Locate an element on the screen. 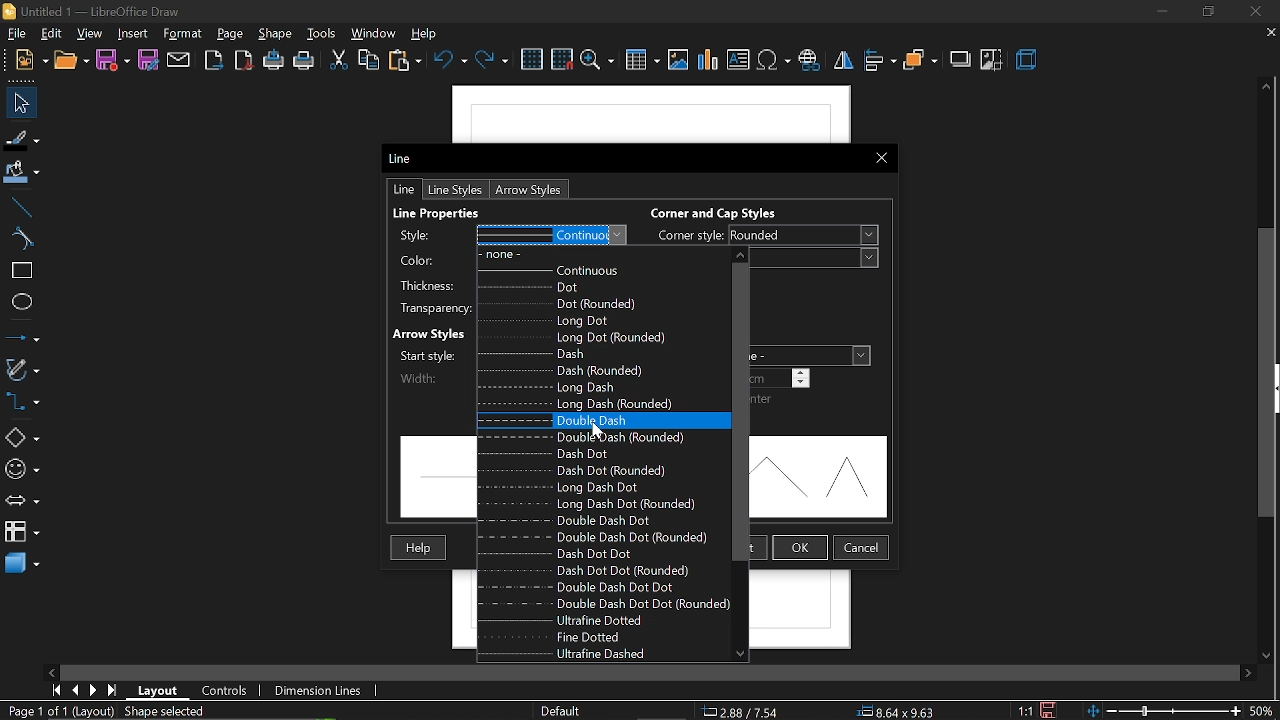  ellipse is located at coordinates (21, 301).